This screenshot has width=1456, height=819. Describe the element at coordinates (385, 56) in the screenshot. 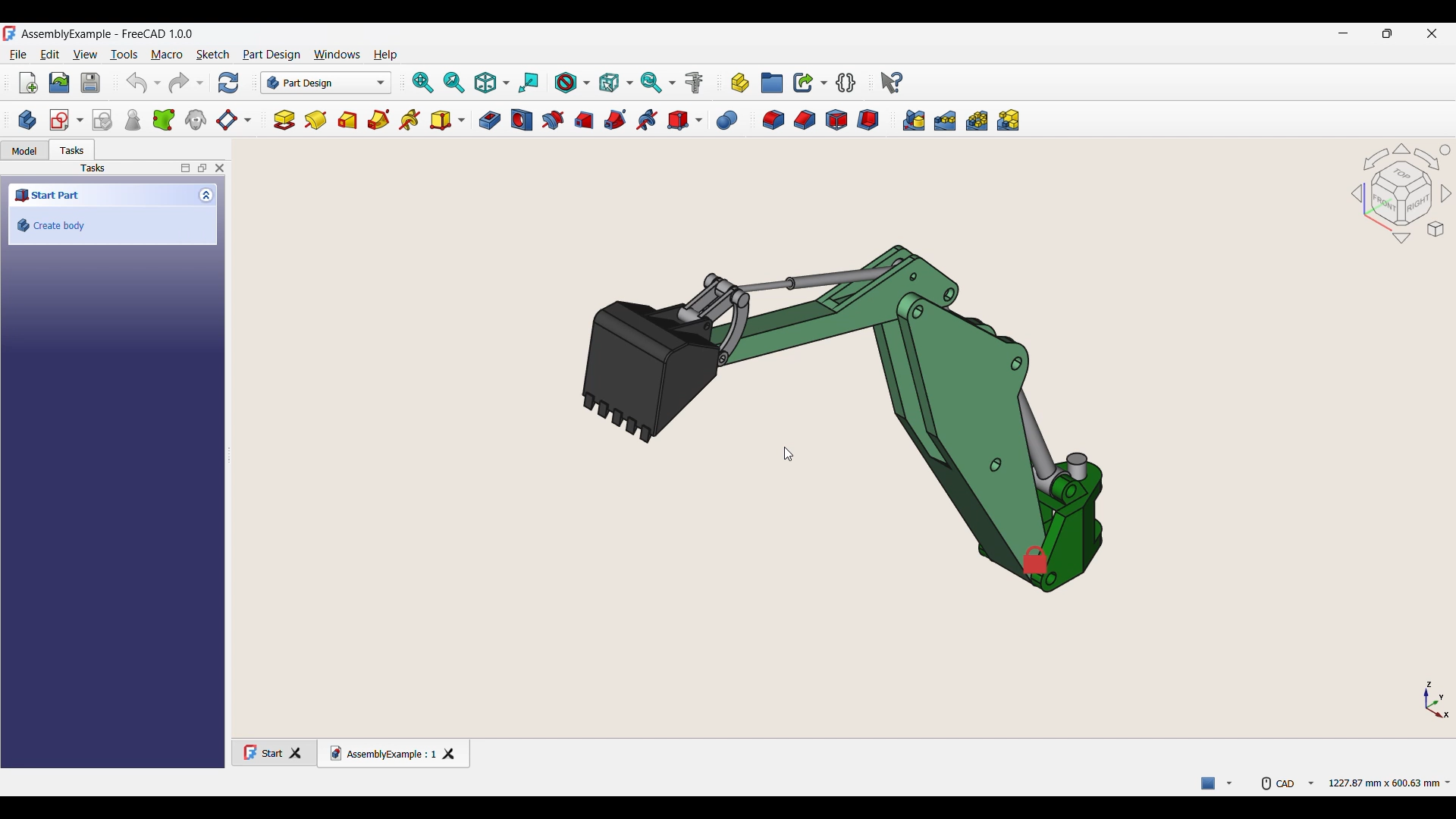

I see `Help menu` at that location.